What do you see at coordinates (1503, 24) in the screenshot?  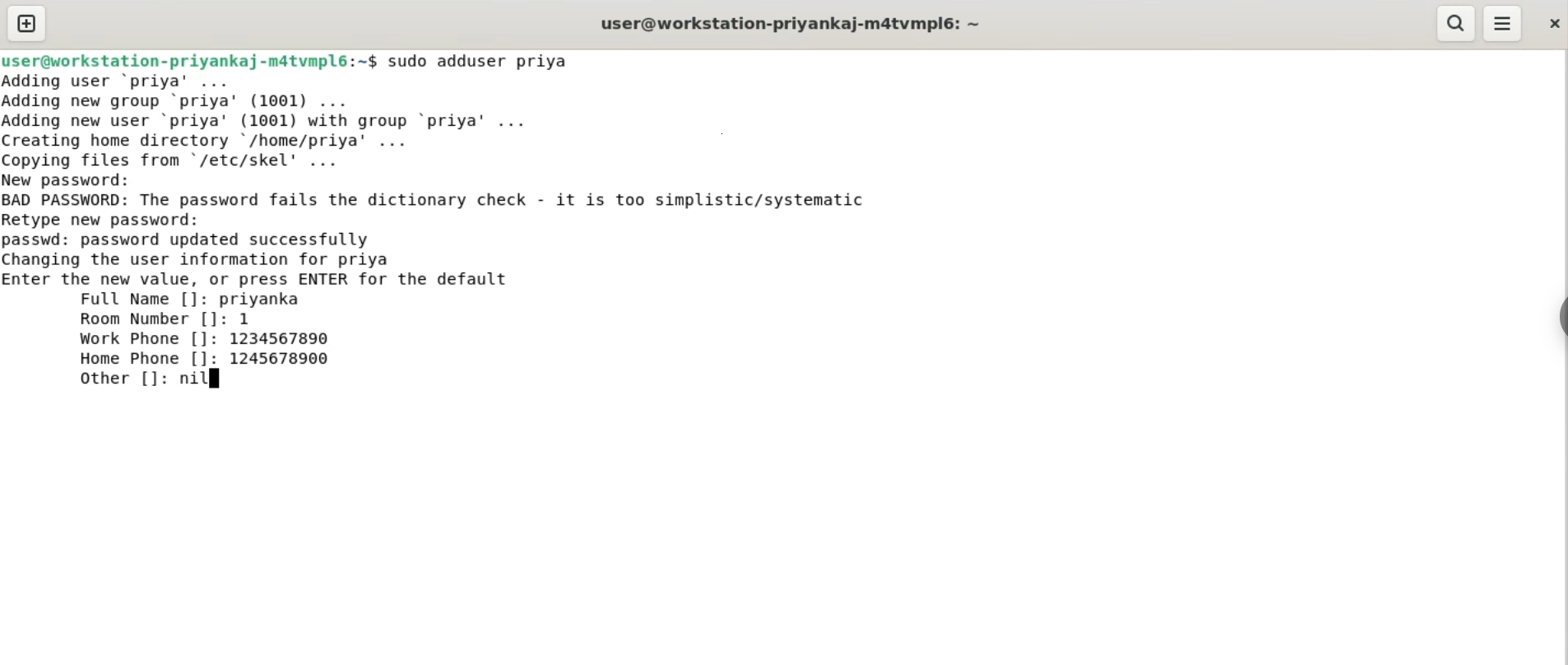 I see `menu` at bounding box center [1503, 24].